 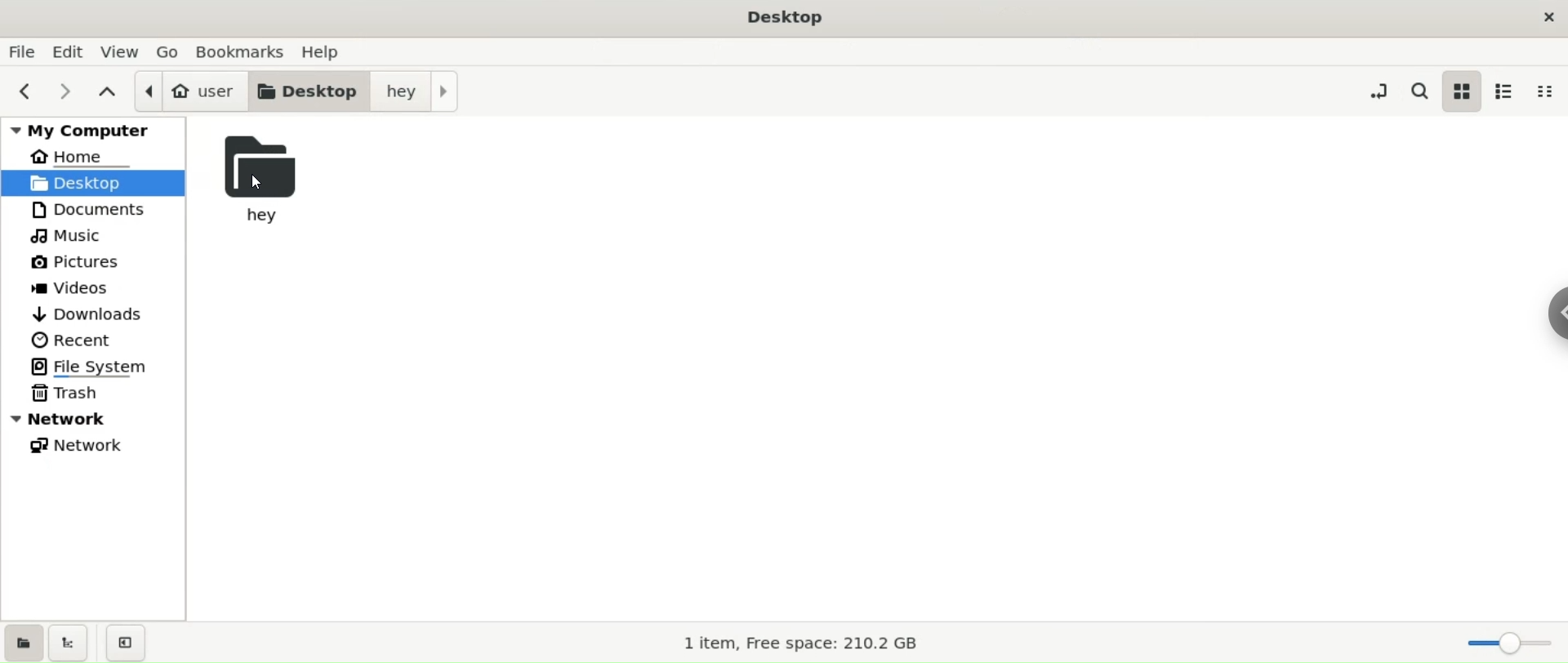 I want to click on cursor, so click(x=256, y=181).